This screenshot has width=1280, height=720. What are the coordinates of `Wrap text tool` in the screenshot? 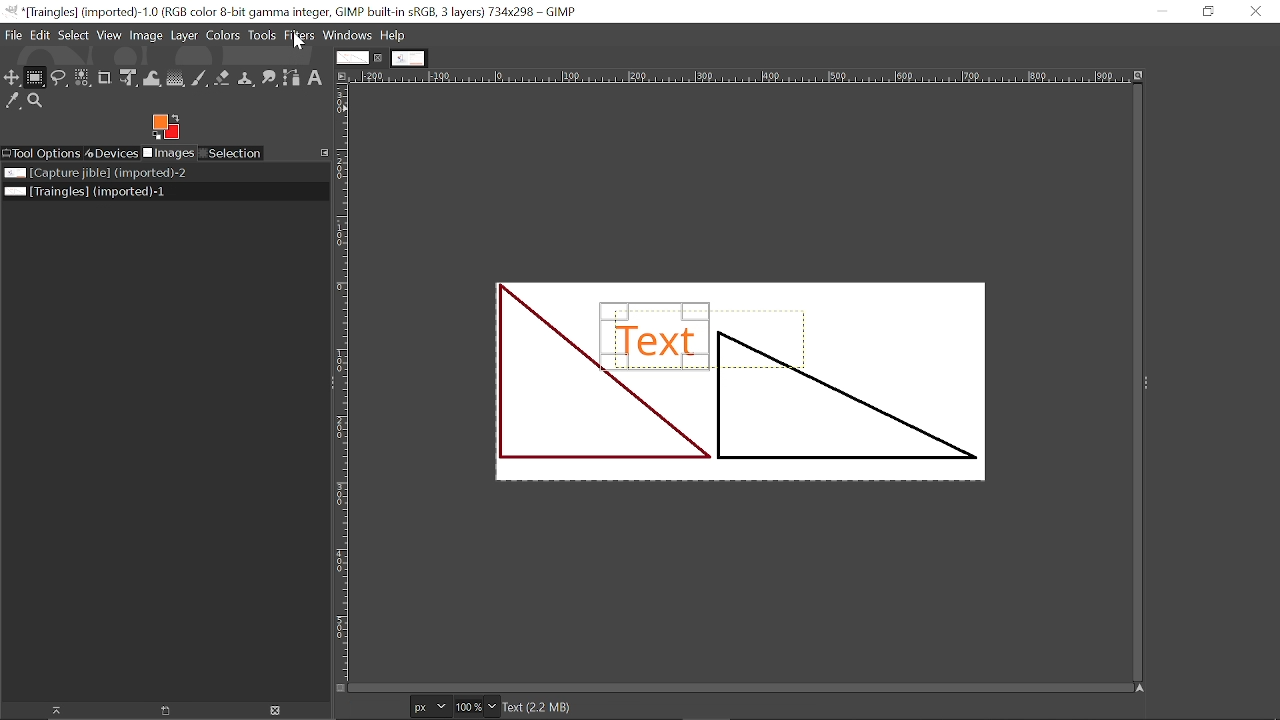 It's located at (152, 78).